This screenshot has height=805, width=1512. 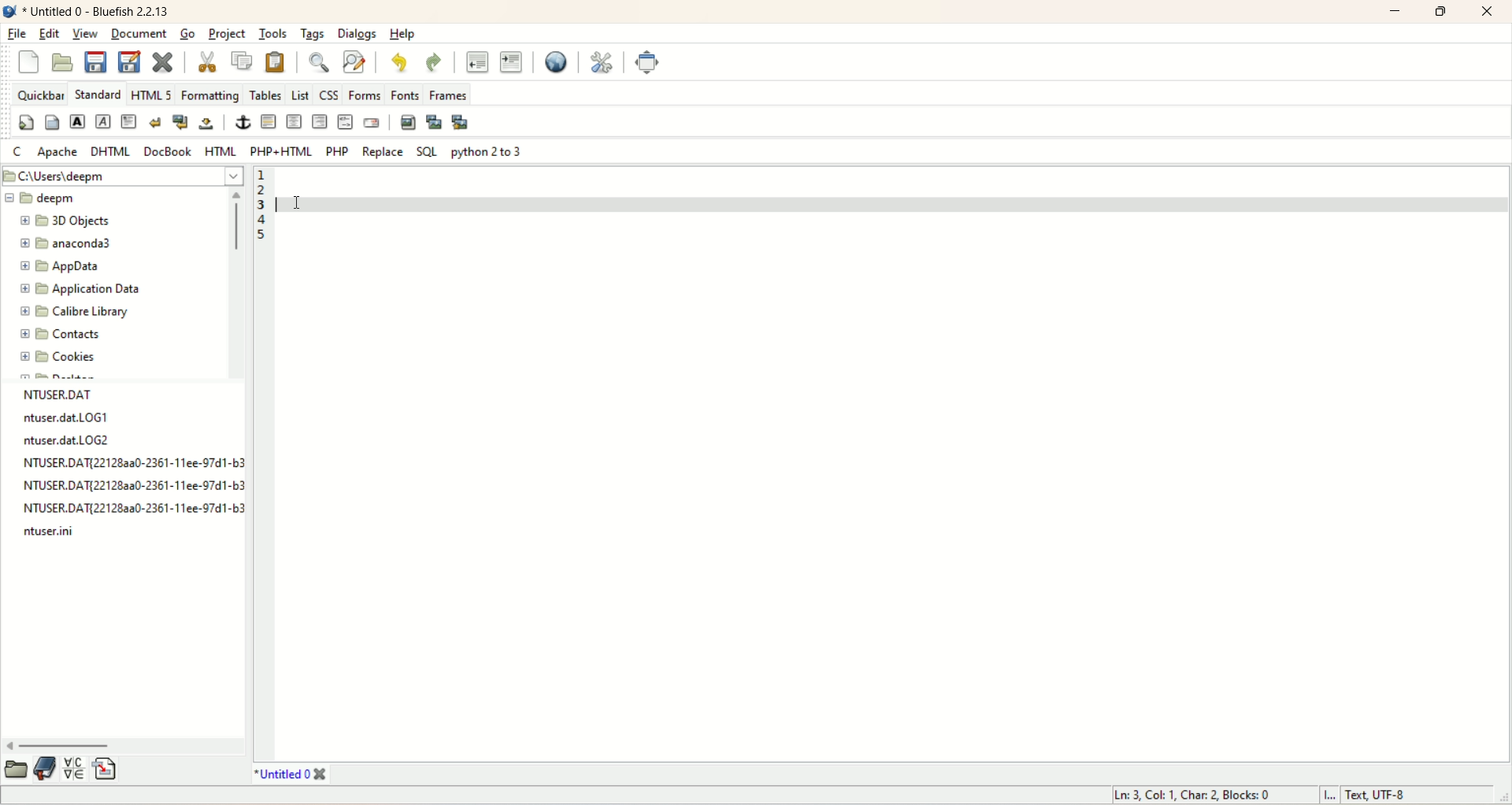 I want to click on logo, so click(x=9, y=11).